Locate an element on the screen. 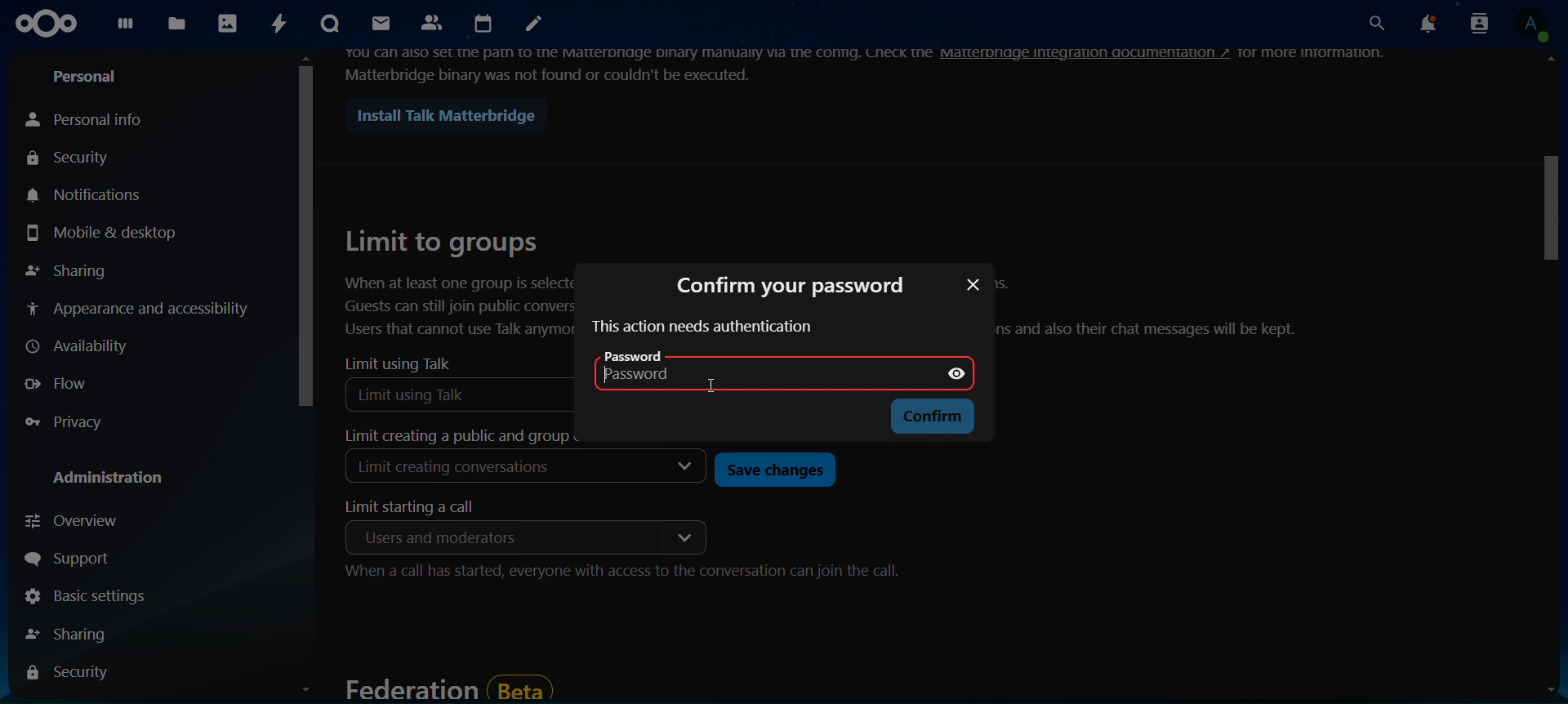 This screenshot has width=1568, height=704. flow is located at coordinates (65, 382).